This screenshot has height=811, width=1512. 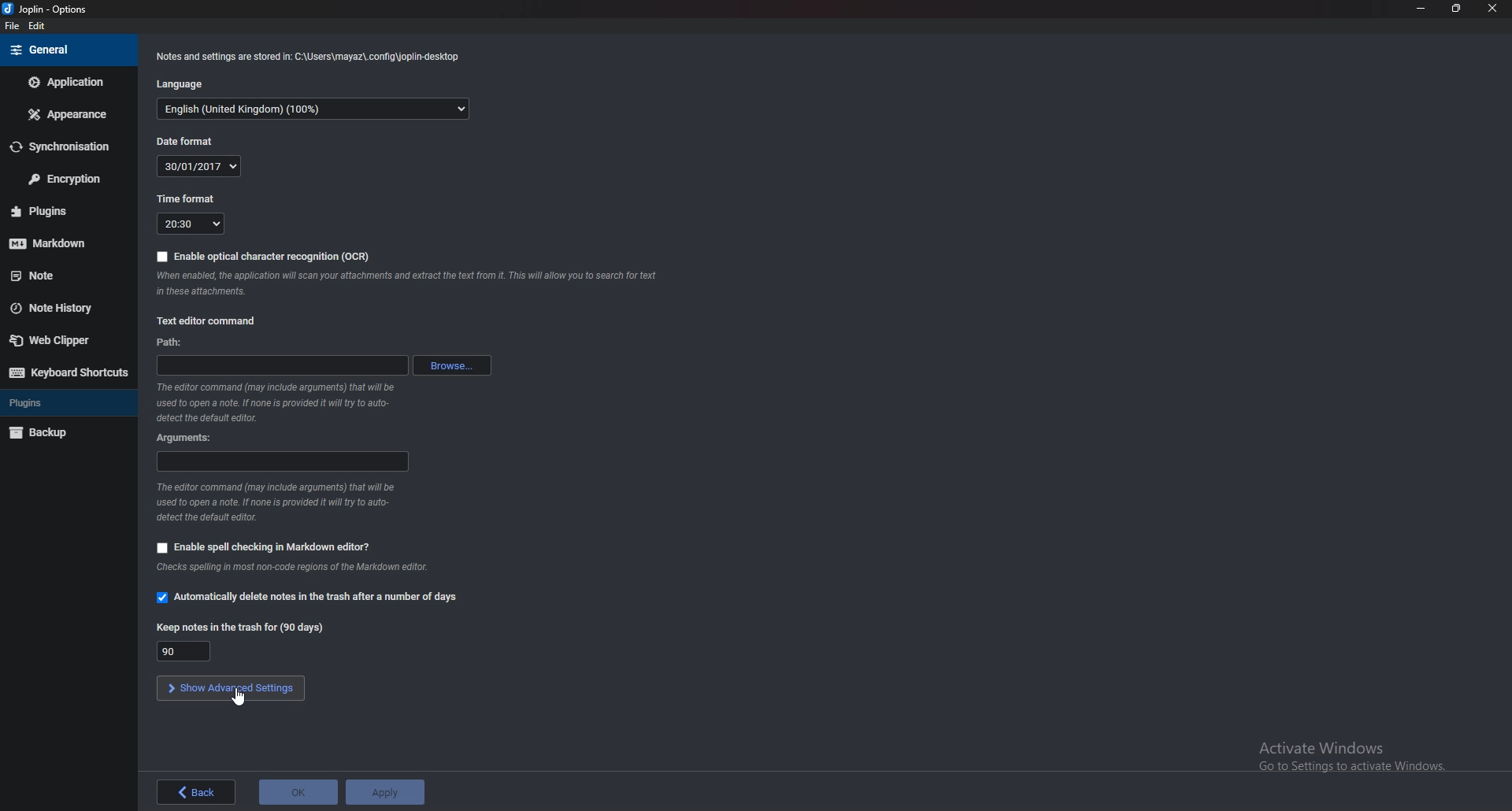 I want to click on ok, so click(x=298, y=793).